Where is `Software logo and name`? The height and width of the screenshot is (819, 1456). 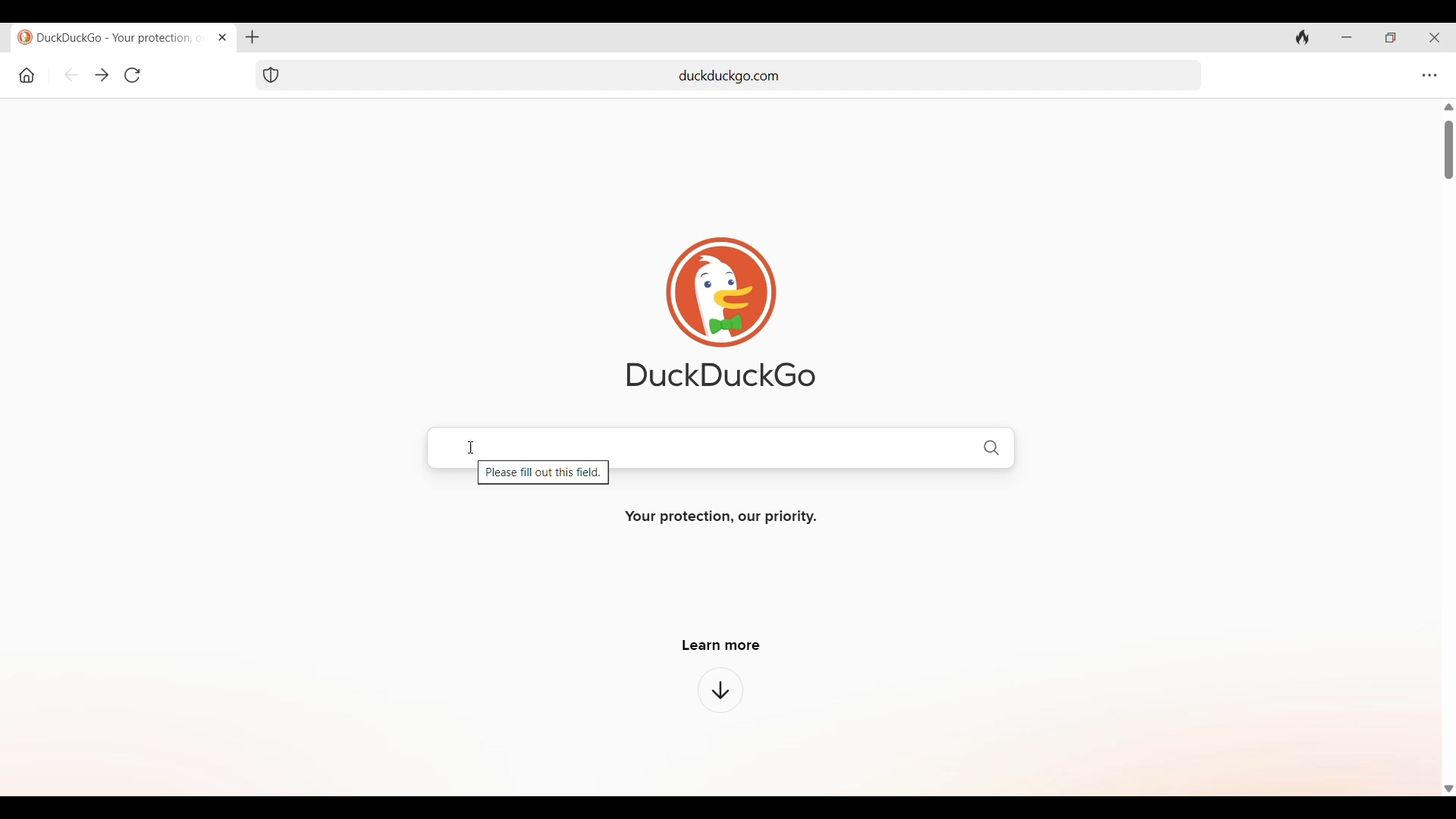 Software logo and name is located at coordinates (721, 312).